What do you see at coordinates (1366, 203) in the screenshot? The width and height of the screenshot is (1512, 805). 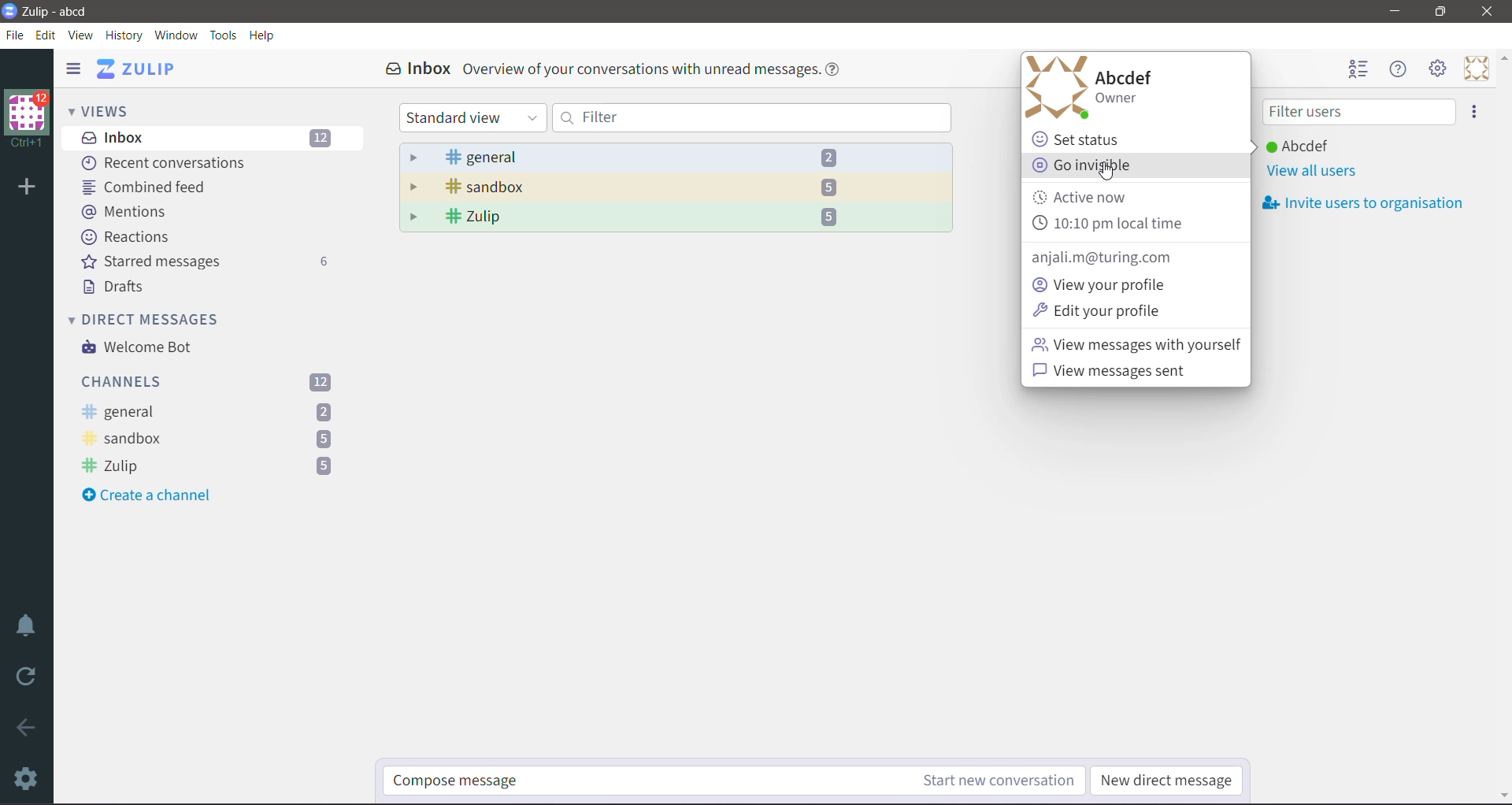 I see `Invite users to oraganization` at bounding box center [1366, 203].